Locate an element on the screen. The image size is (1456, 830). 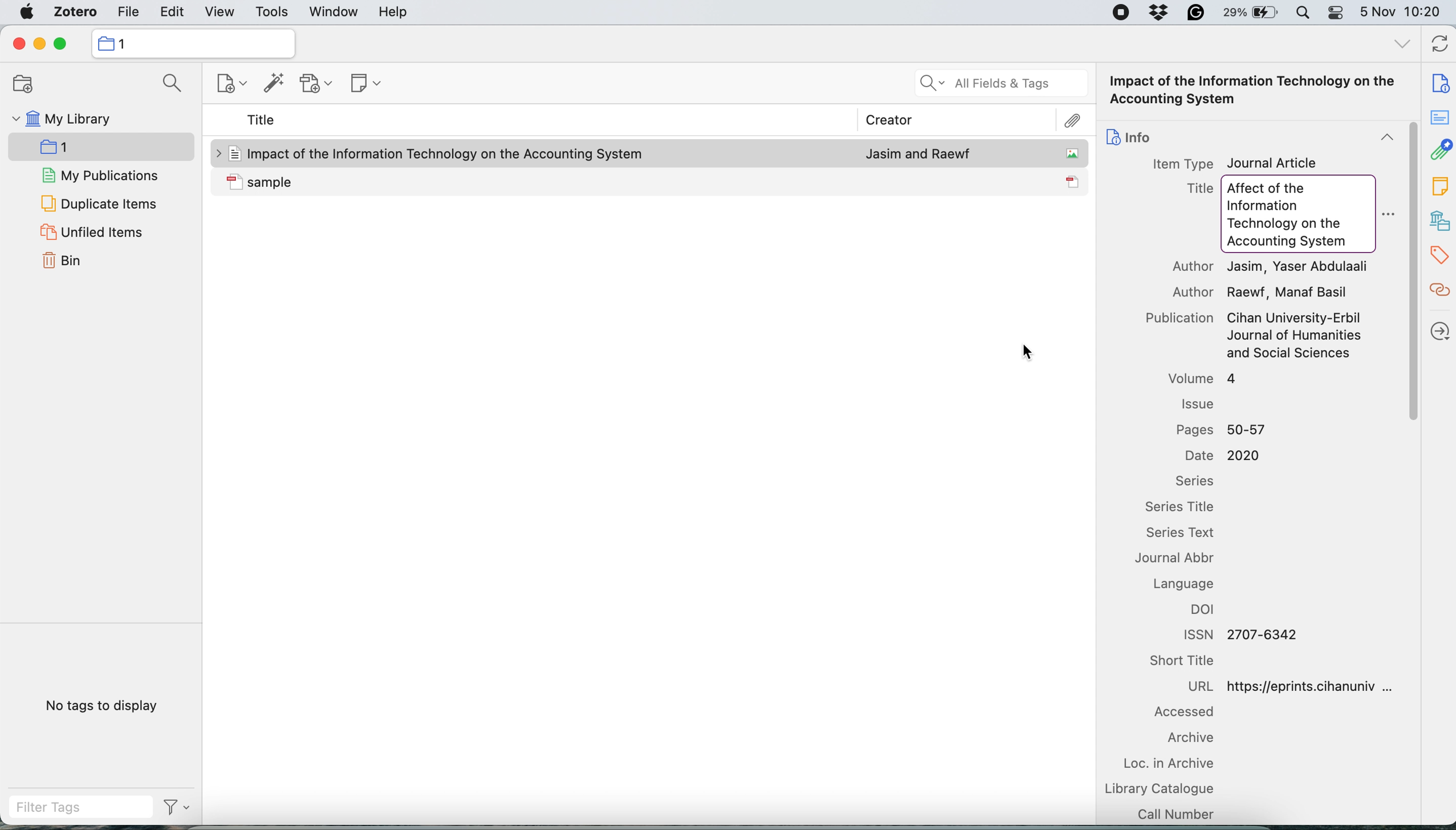
related is located at coordinates (1439, 292).